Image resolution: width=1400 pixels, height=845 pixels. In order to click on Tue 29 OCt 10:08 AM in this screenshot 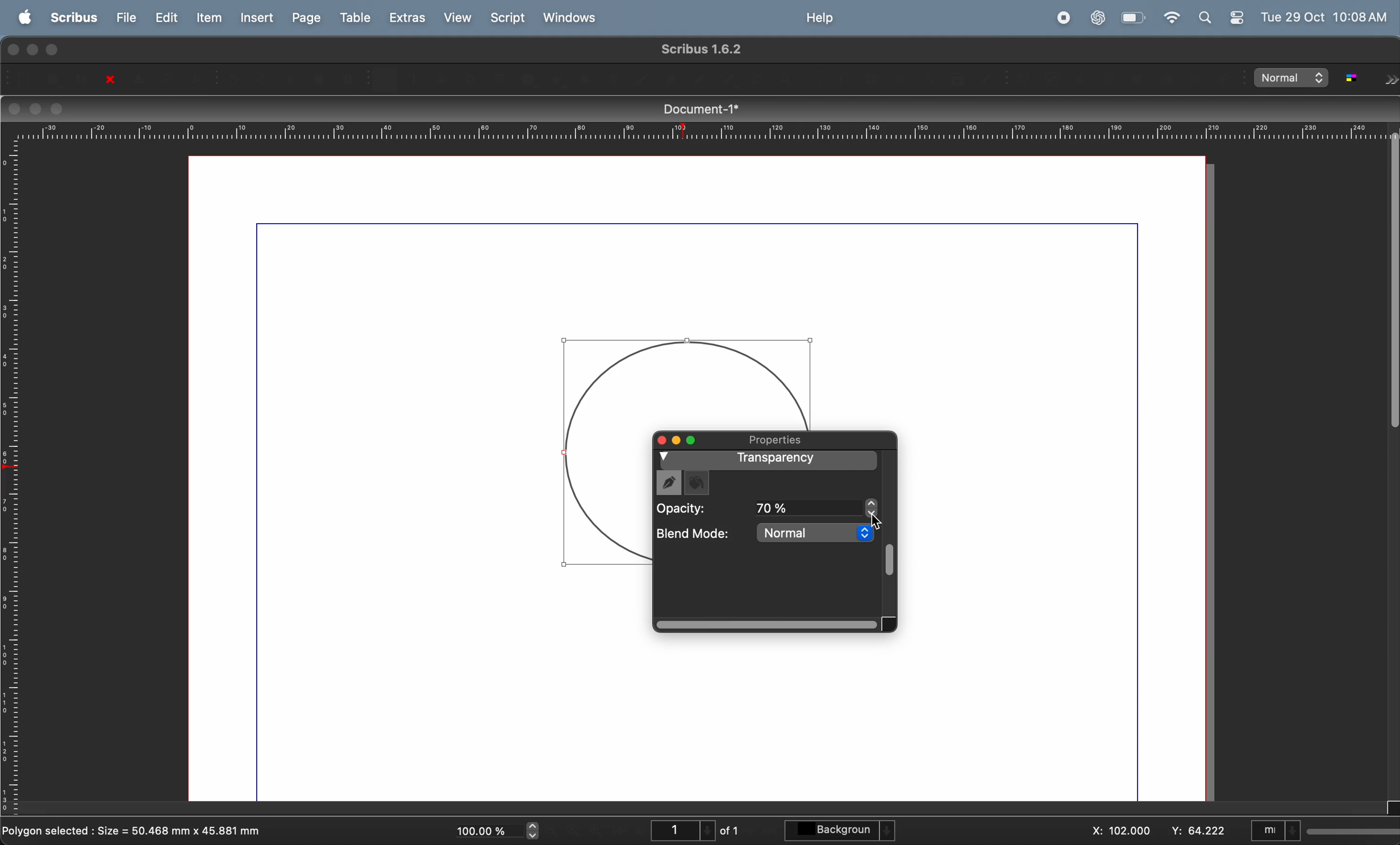, I will do `click(1327, 16)`.